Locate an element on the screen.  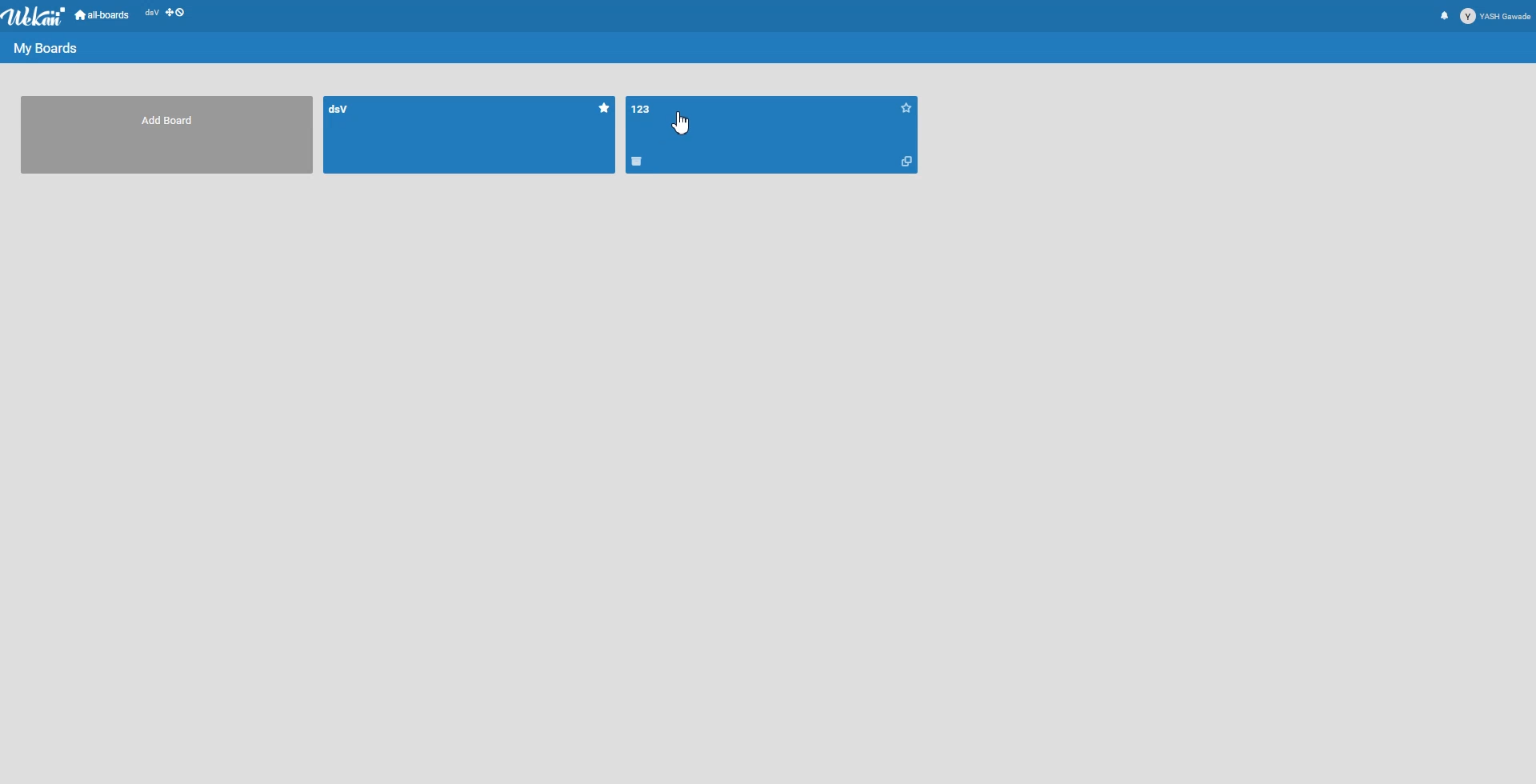
Show desktop Drag Handle is located at coordinates (177, 13).